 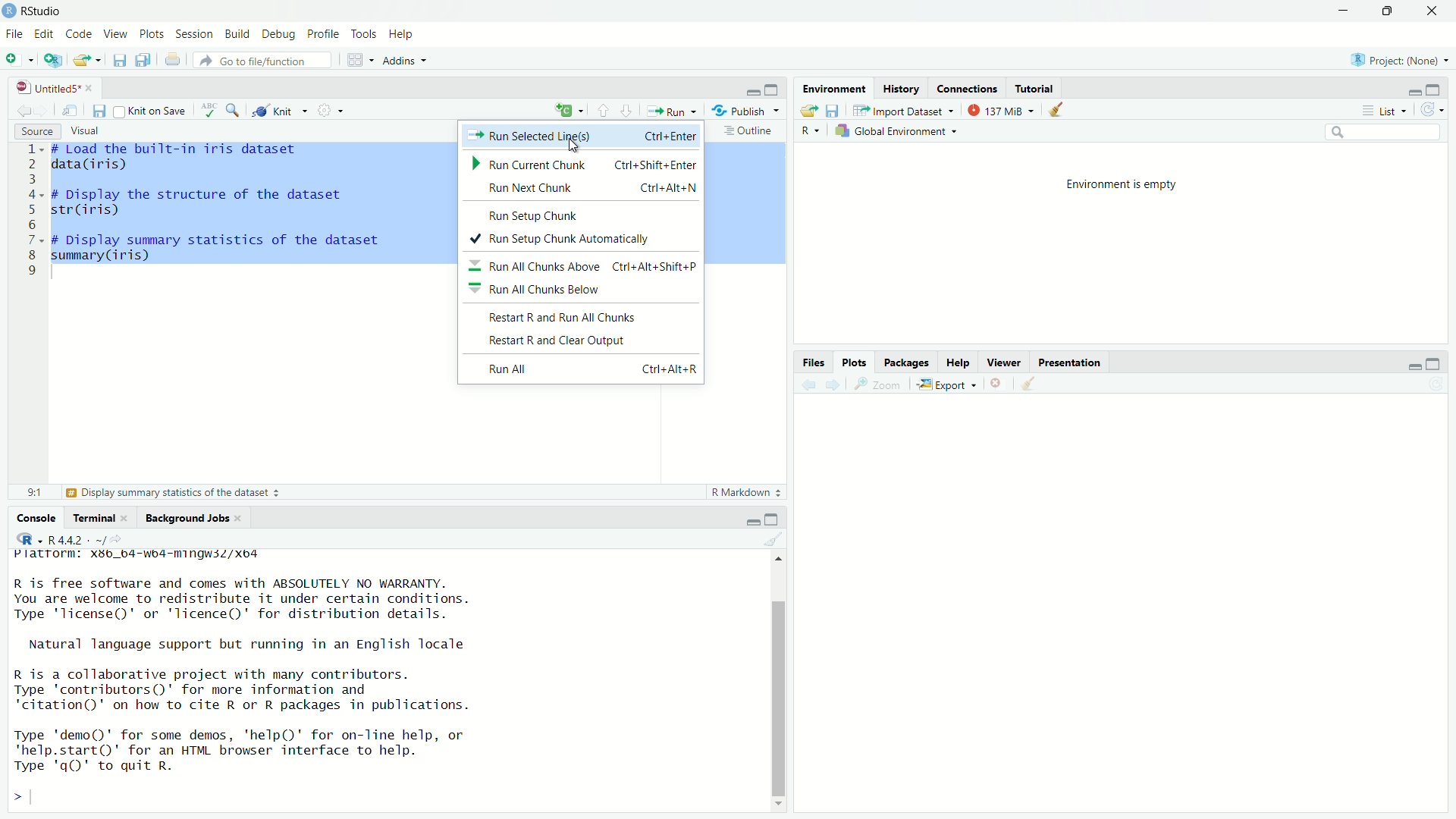 What do you see at coordinates (750, 519) in the screenshot?
I see `Hide` at bounding box center [750, 519].